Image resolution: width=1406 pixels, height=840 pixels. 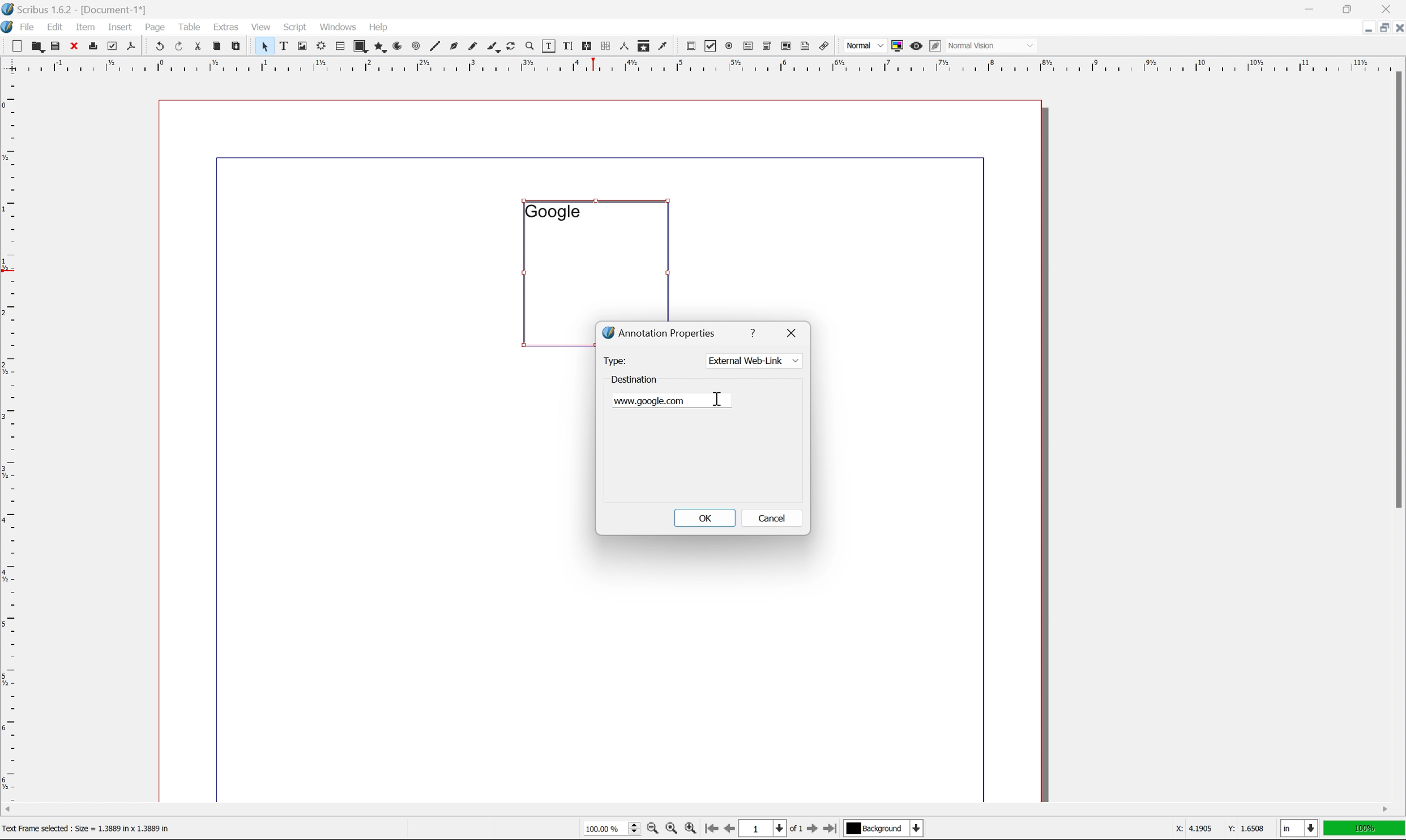 What do you see at coordinates (302, 47) in the screenshot?
I see `image frame` at bounding box center [302, 47].